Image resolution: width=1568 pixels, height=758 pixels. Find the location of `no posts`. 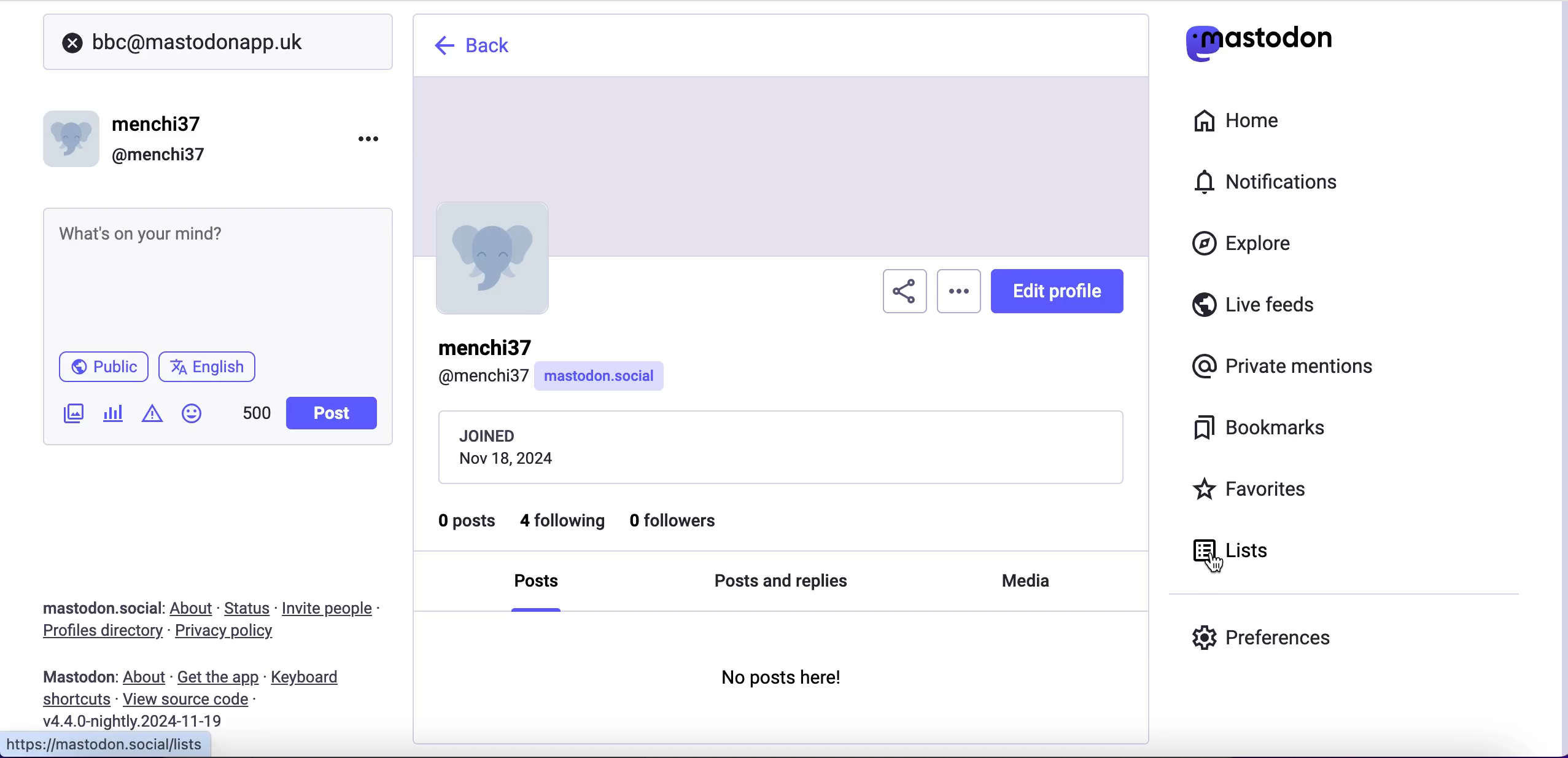

no posts is located at coordinates (785, 682).